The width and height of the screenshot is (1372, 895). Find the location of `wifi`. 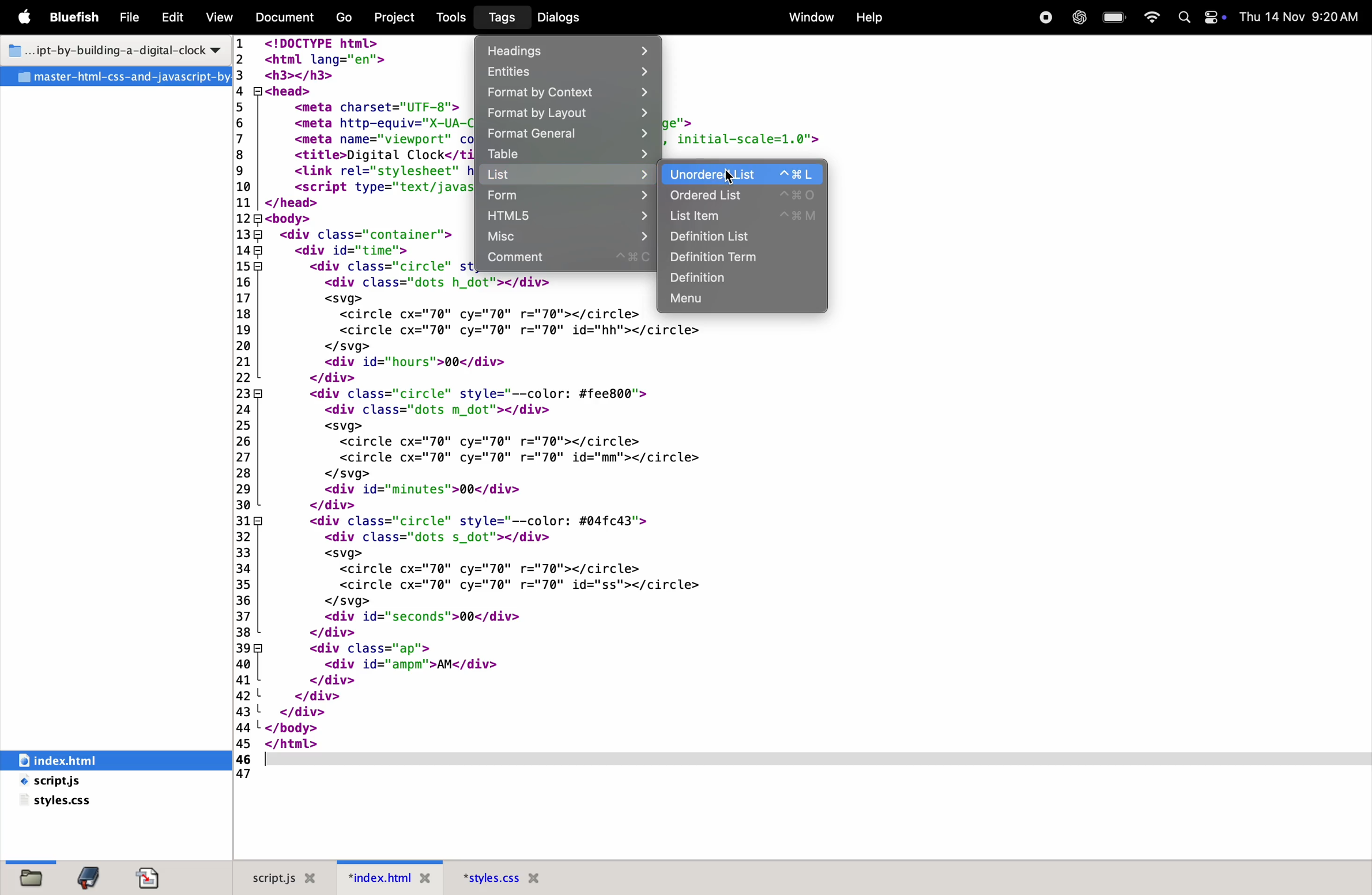

wifi is located at coordinates (1151, 18).